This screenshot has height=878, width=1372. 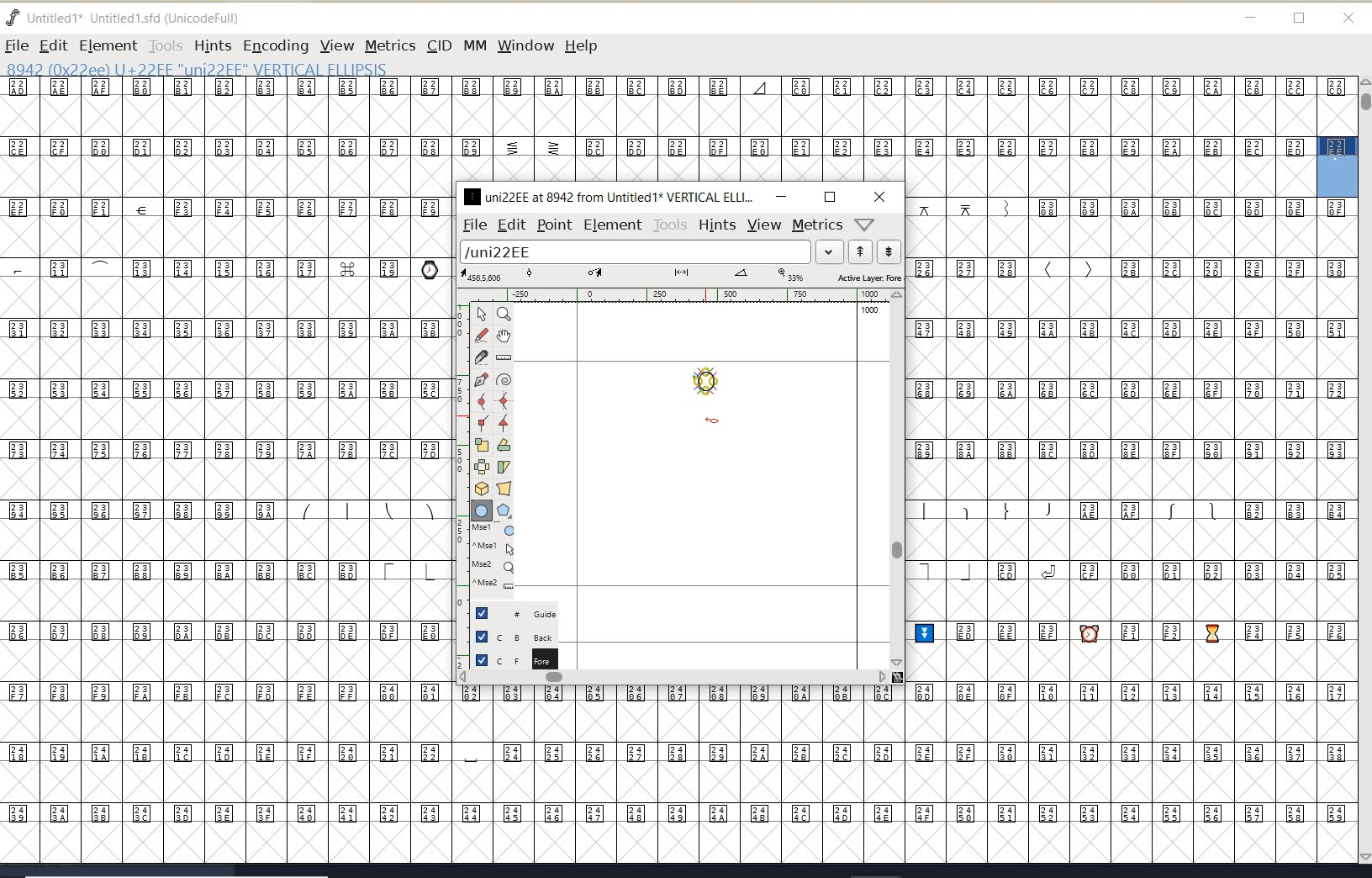 I want to click on untitled1* Untitled 1.sfd (UnicodeFull), so click(x=141, y=16).